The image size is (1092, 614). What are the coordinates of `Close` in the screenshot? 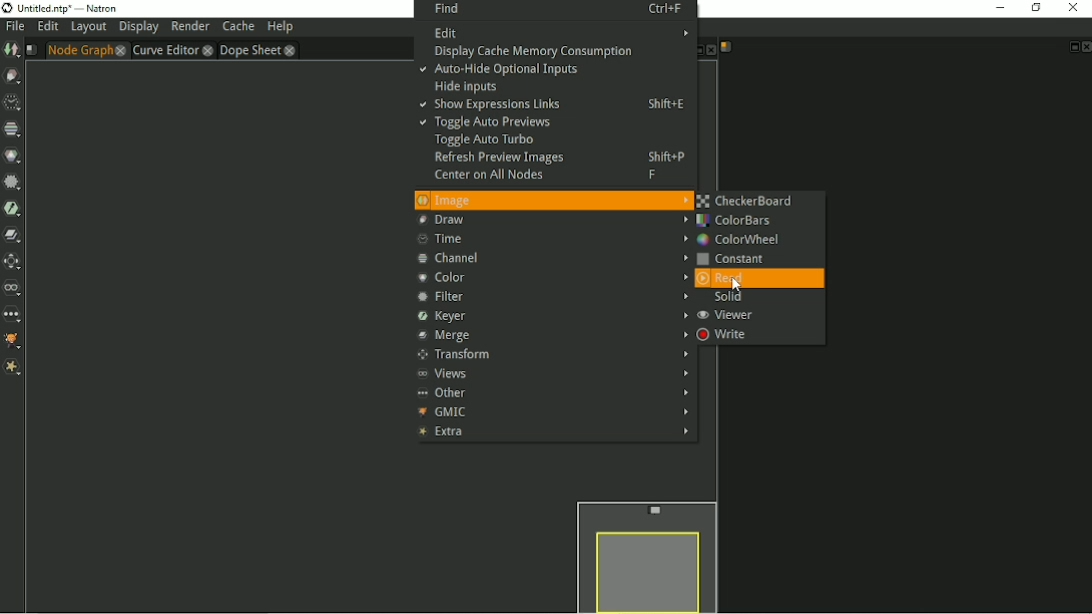 It's located at (1085, 47).